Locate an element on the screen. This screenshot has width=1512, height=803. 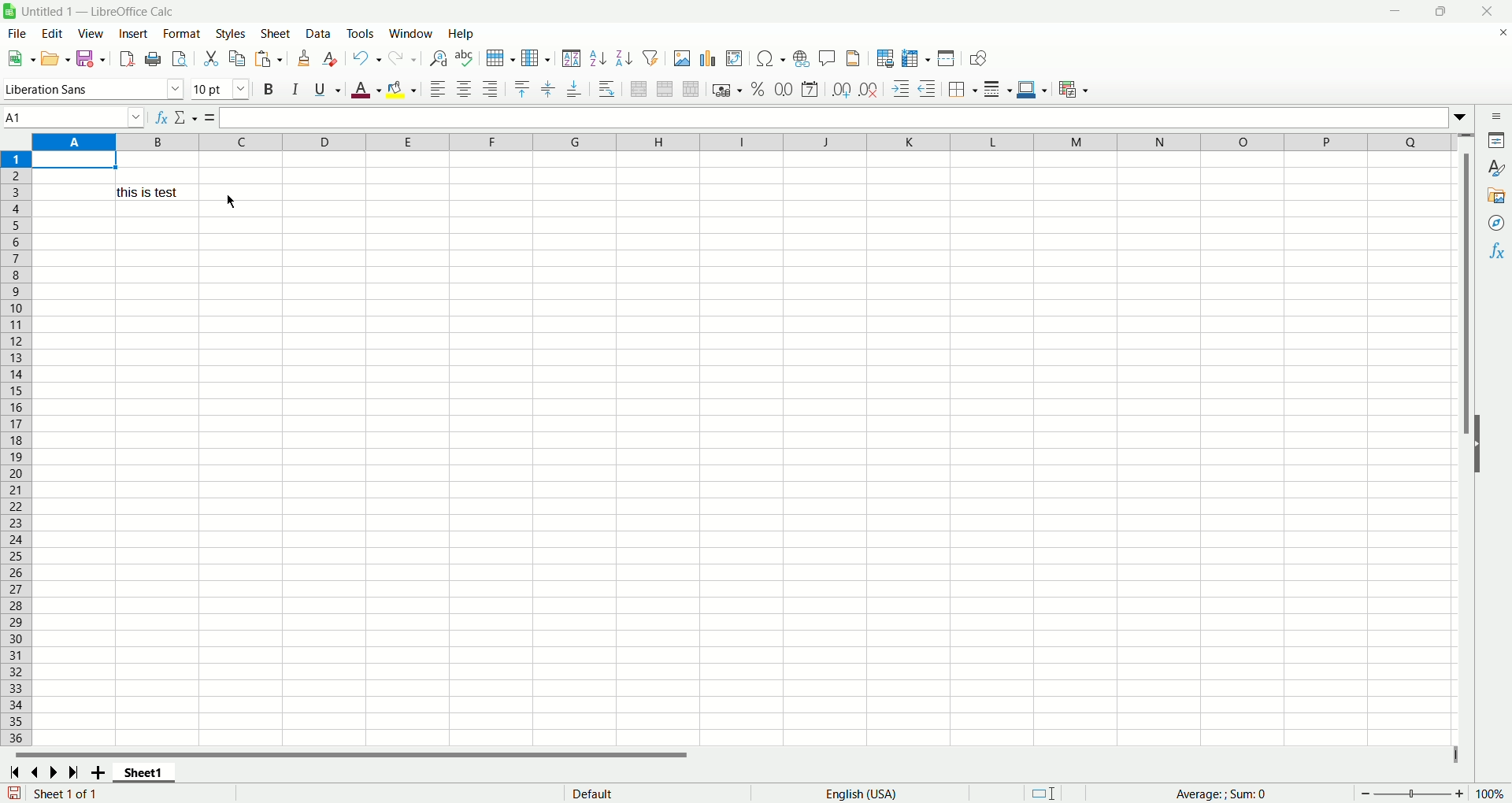
merge and center is located at coordinates (638, 89).